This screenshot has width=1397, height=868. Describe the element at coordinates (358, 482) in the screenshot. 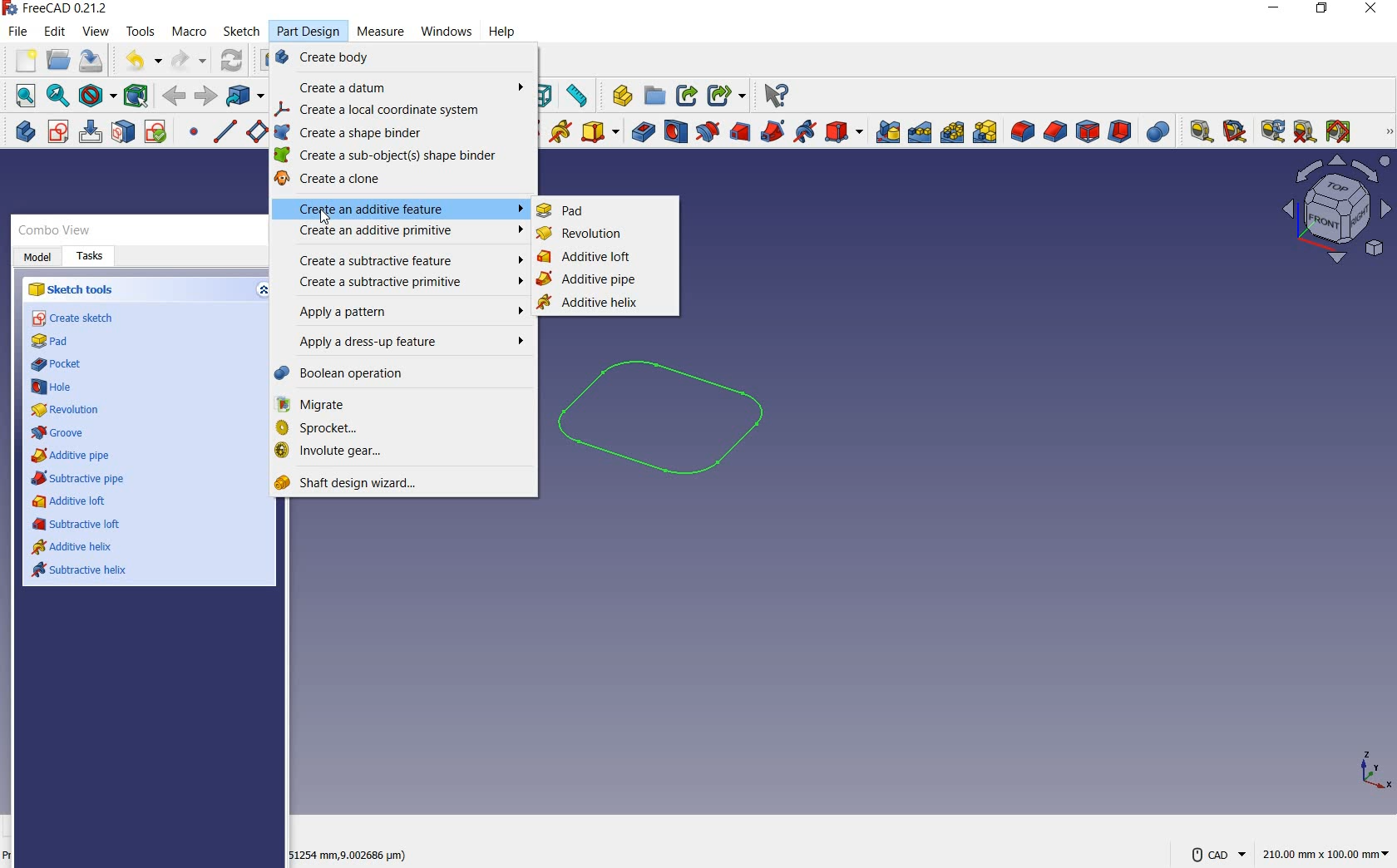

I see `shaft design wizard` at that location.